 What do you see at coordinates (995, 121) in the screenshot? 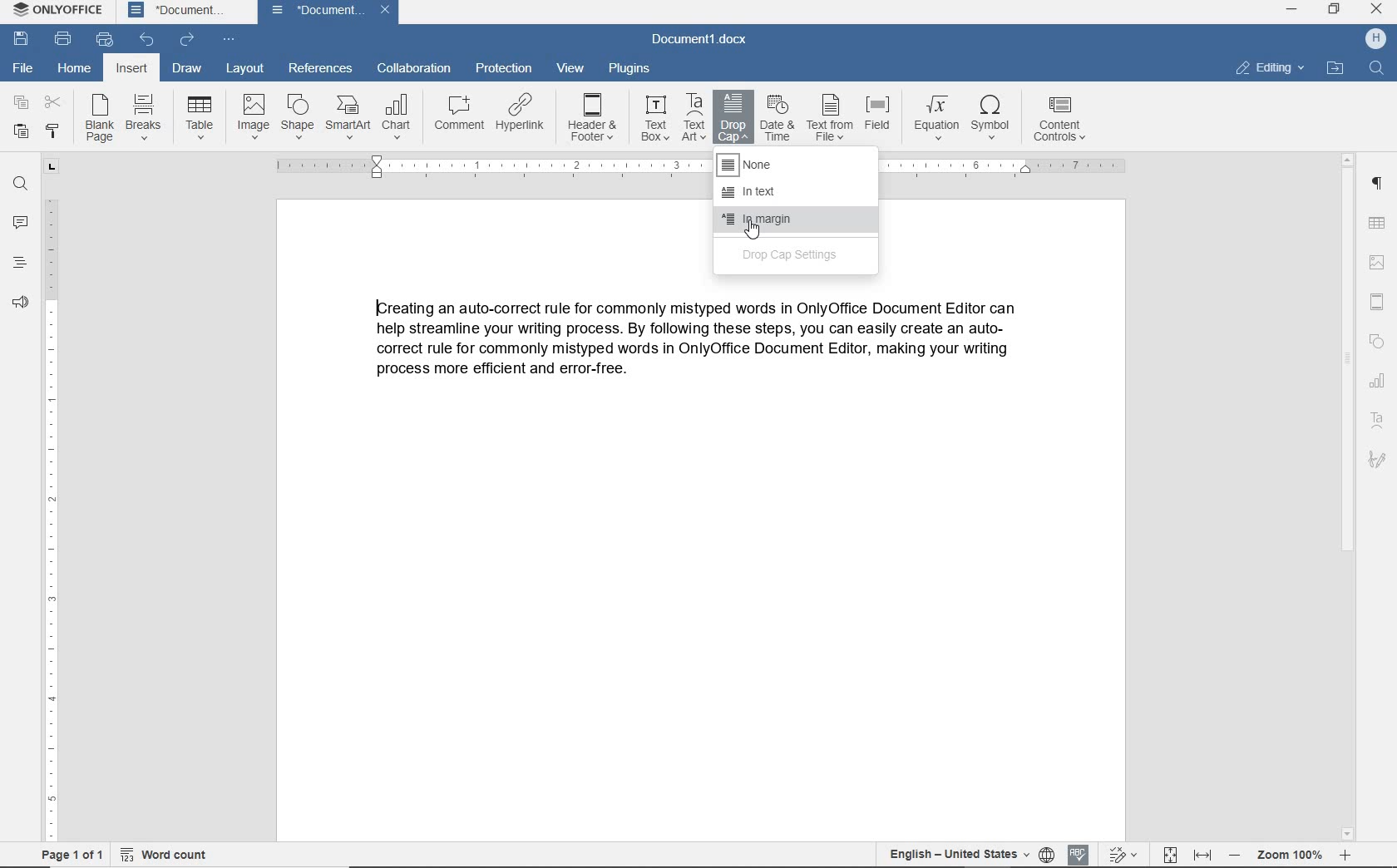
I see `symbol` at bounding box center [995, 121].